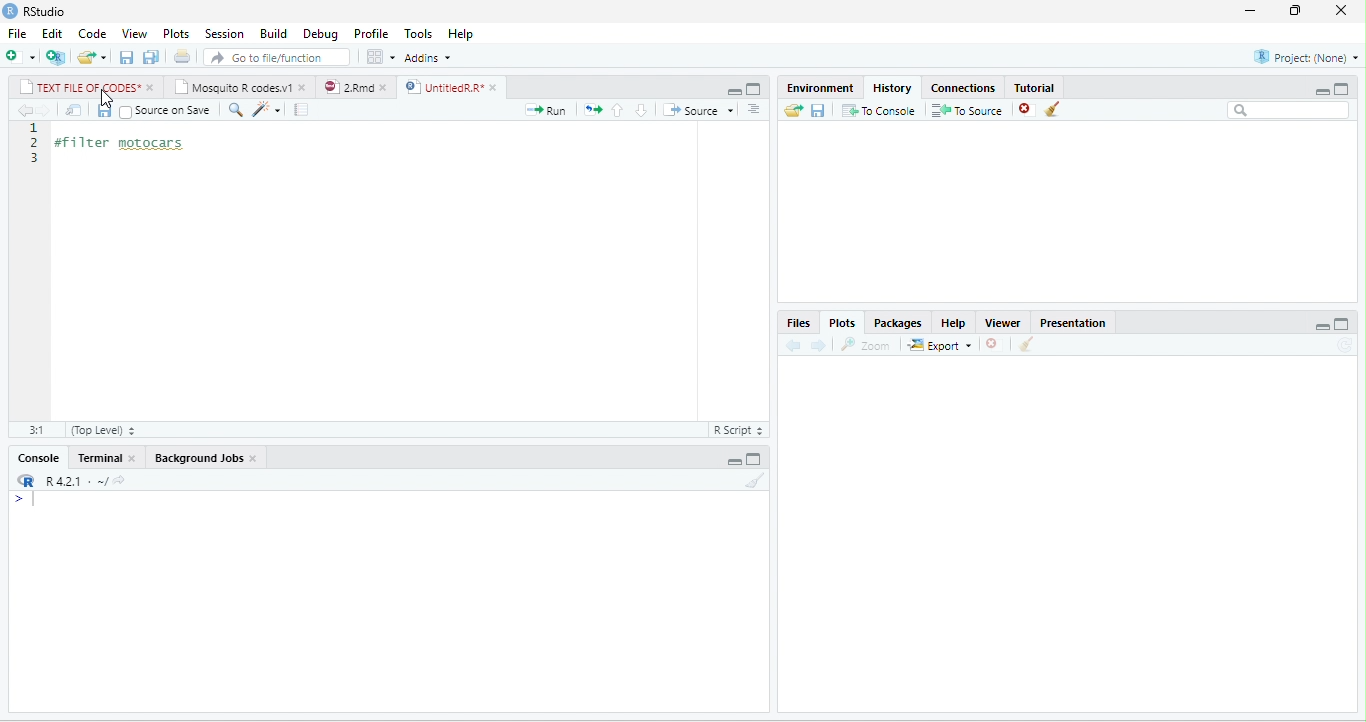 This screenshot has height=722, width=1366. What do you see at coordinates (304, 89) in the screenshot?
I see `close` at bounding box center [304, 89].